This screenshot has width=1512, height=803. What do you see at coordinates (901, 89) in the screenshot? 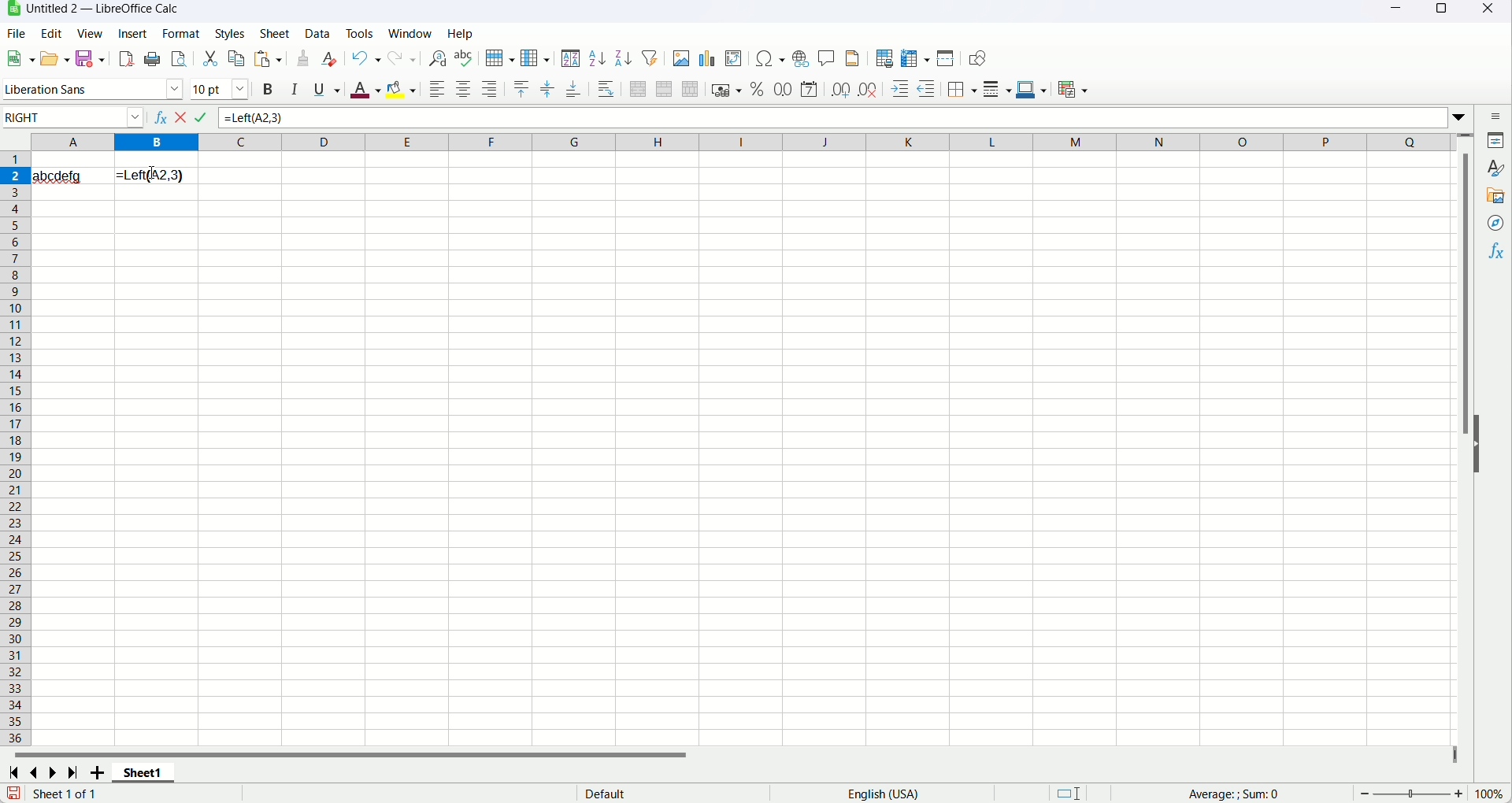
I see `decrease indent` at bounding box center [901, 89].